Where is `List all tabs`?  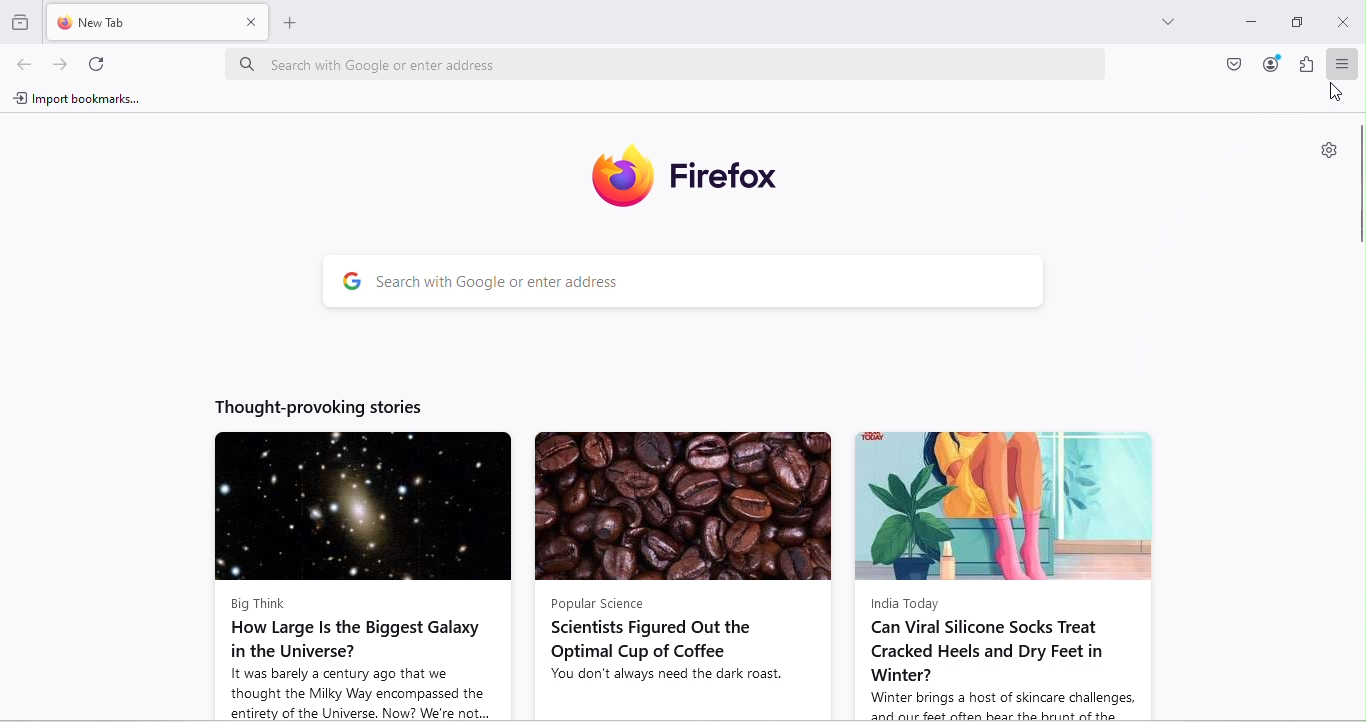
List all tabs is located at coordinates (1167, 25).